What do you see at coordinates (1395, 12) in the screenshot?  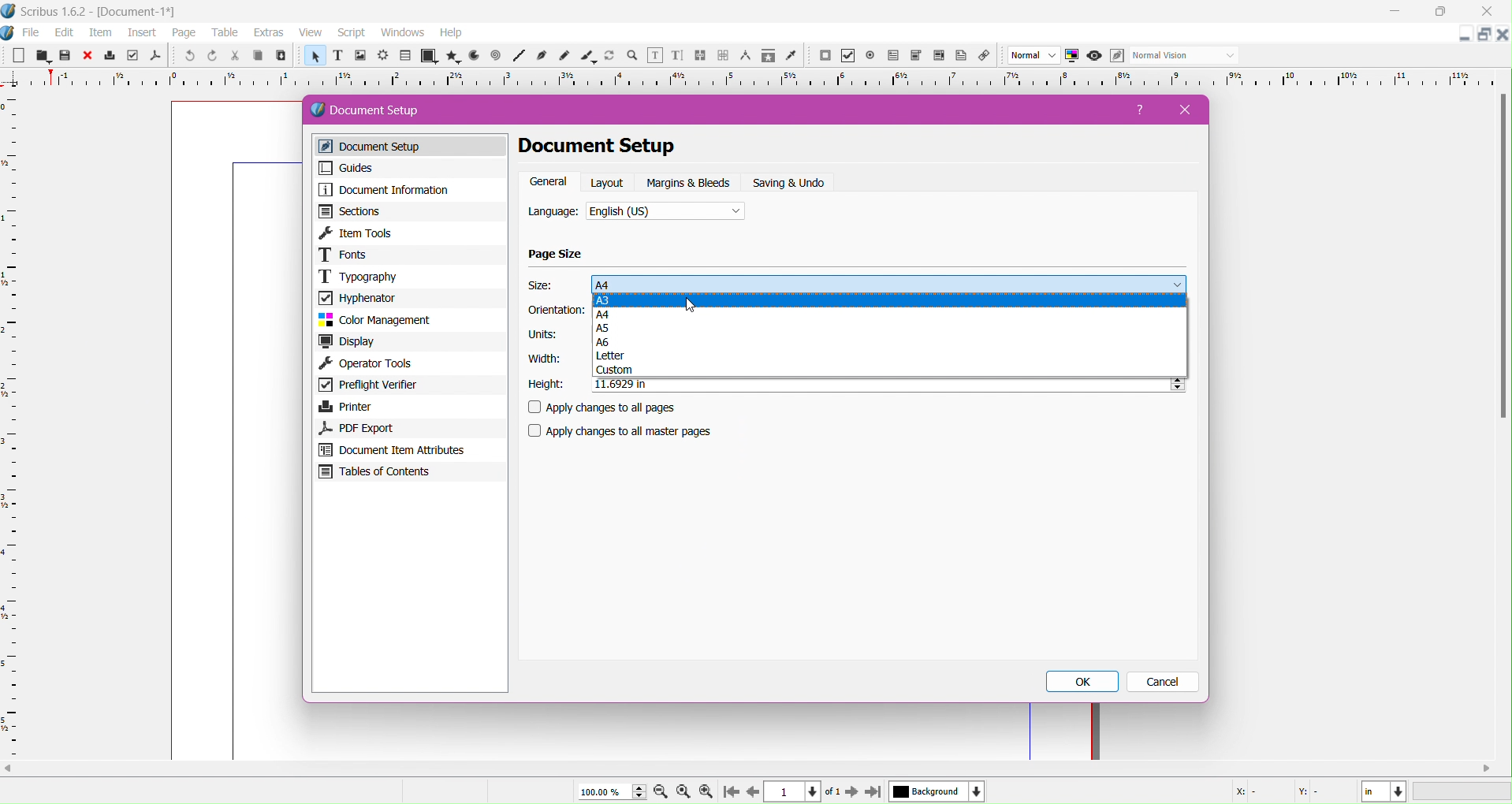 I see `minimize` at bounding box center [1395, 12].